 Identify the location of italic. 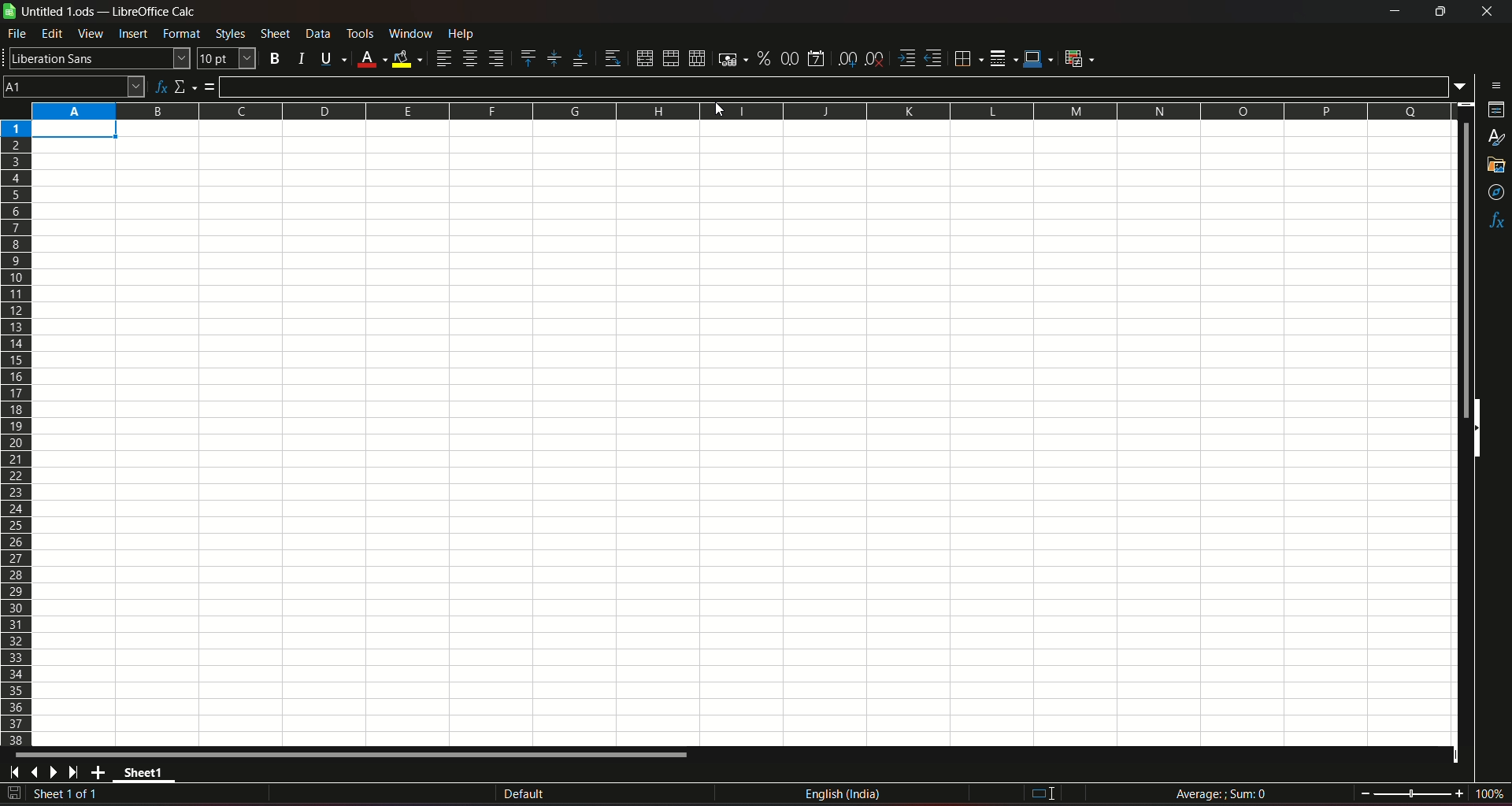
(299, 57).